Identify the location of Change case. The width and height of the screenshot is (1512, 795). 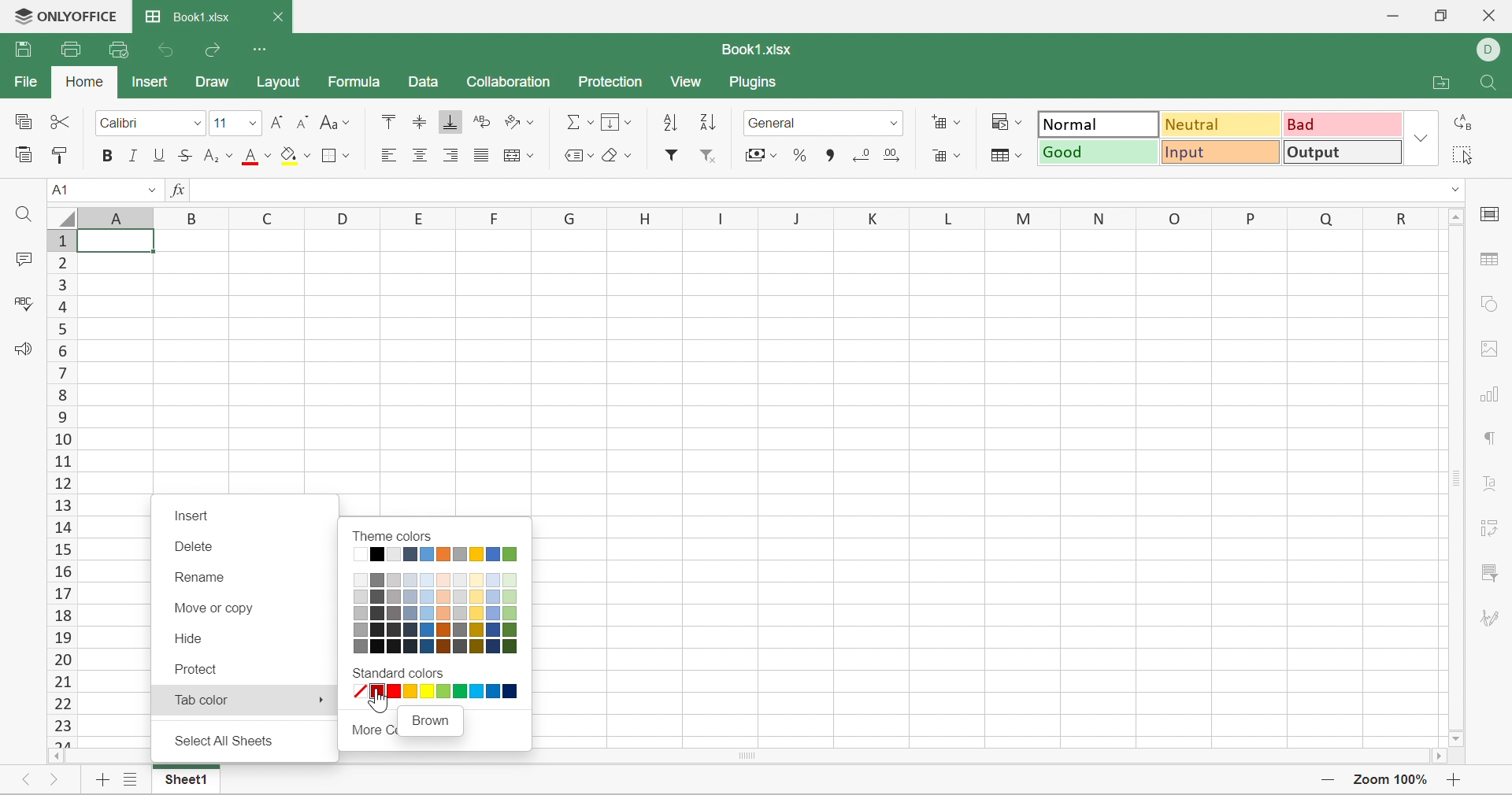
(333, 122).